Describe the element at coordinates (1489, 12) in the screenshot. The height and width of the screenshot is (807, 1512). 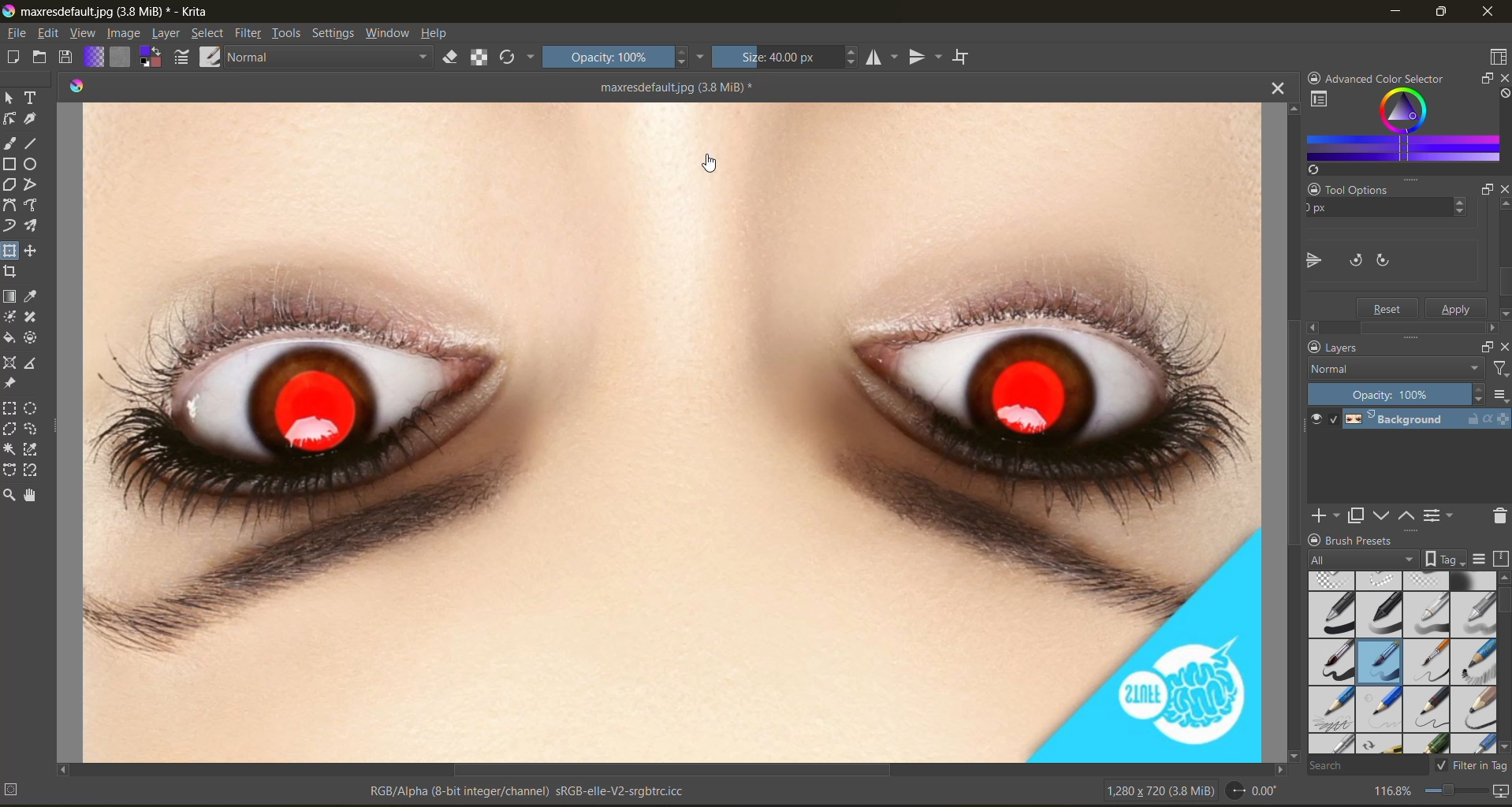
I see `close` at that location.